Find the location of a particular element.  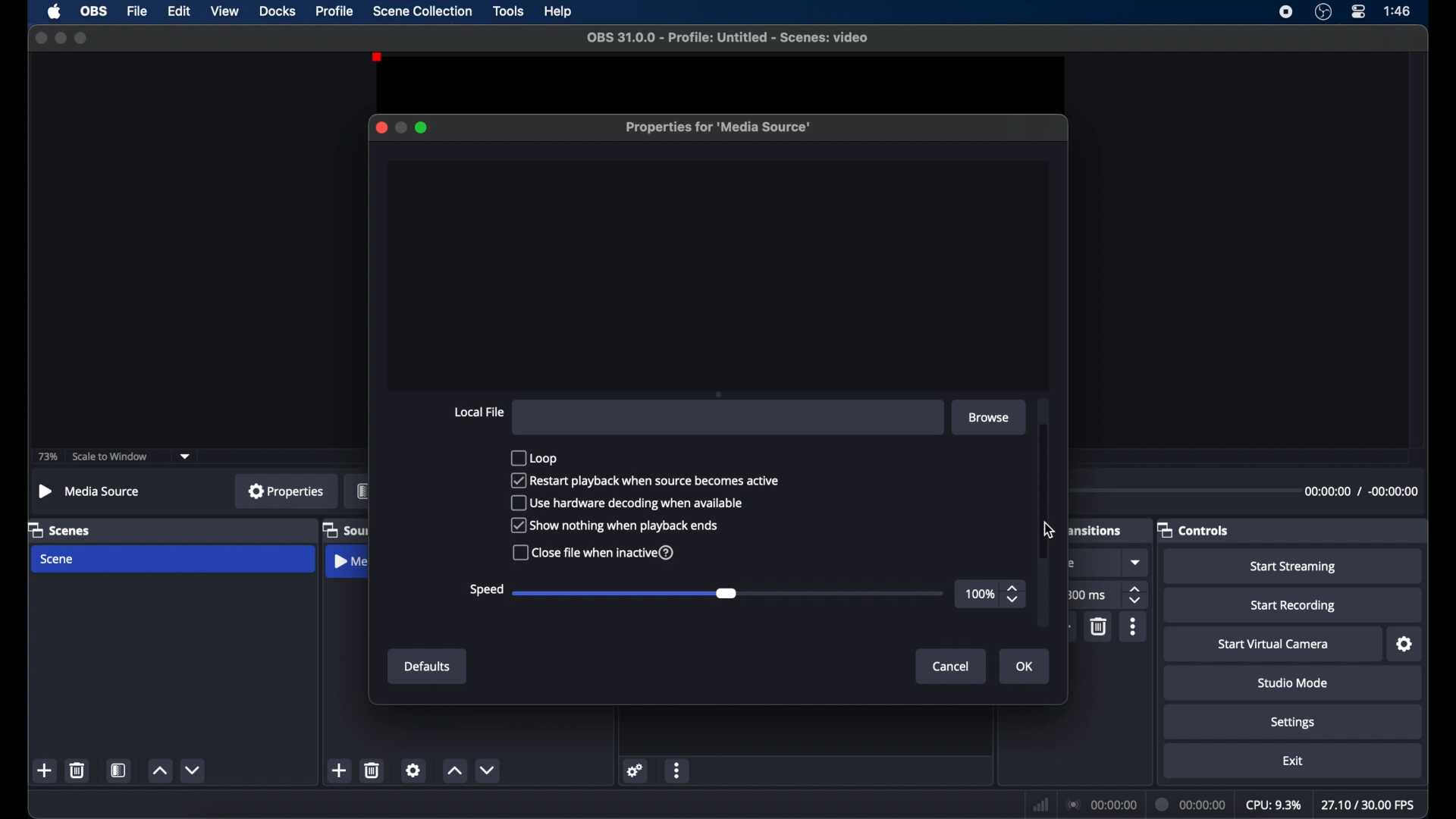

settings is located at coordinates (1294, 723).